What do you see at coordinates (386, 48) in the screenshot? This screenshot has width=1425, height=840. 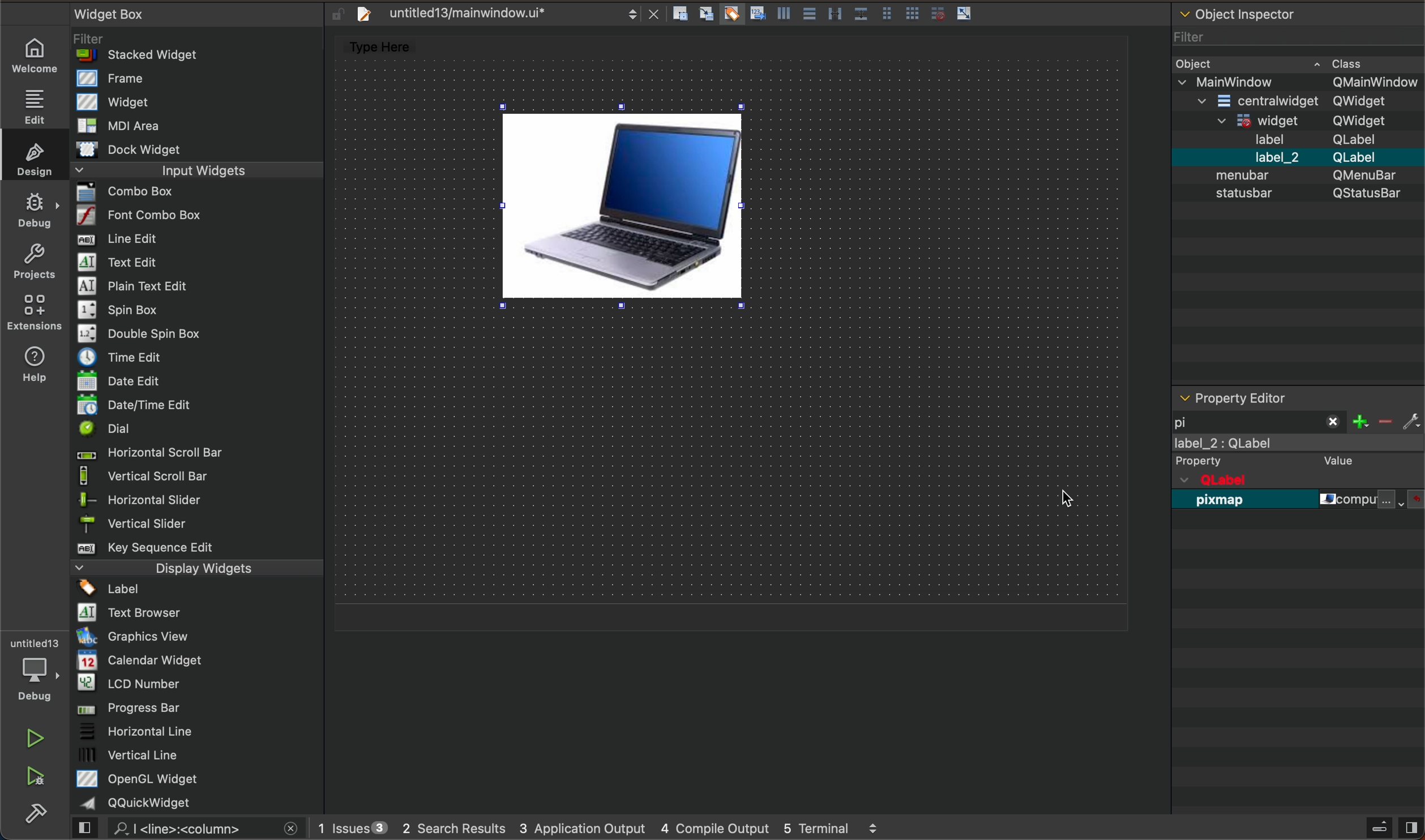 I see `type here` at bounding box center [386, 48].